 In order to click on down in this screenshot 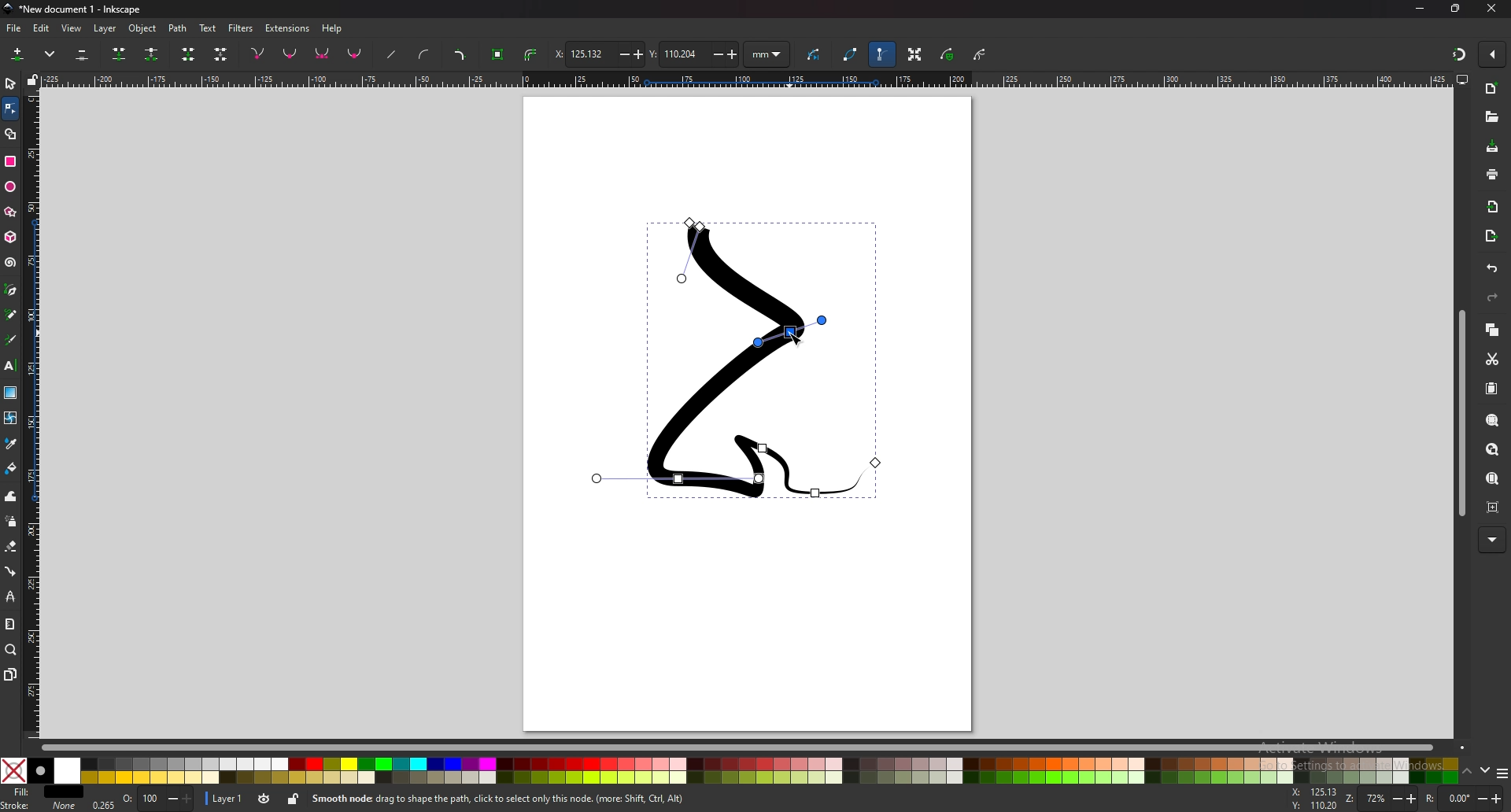, I will do `click(1485, 771)`.